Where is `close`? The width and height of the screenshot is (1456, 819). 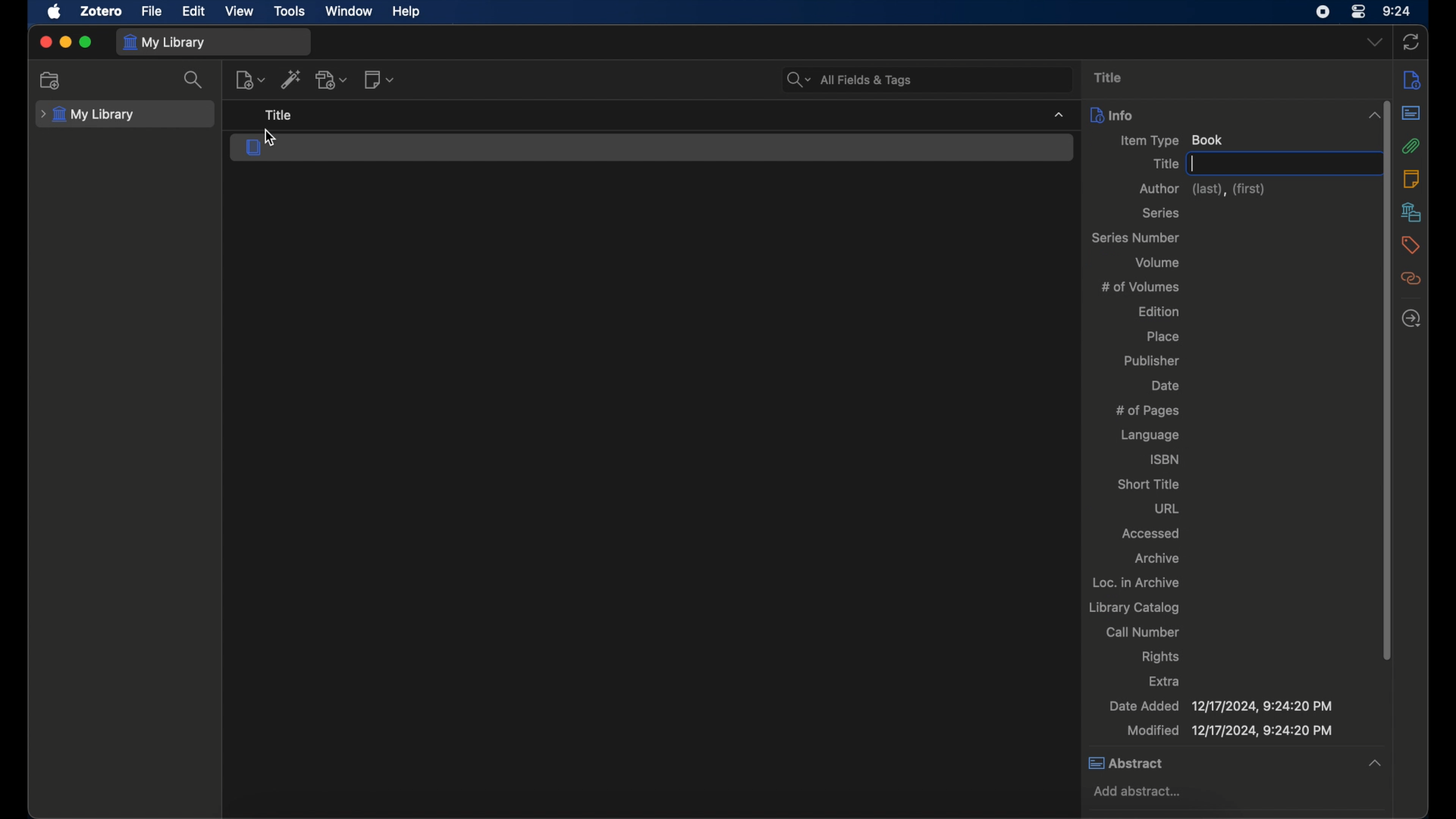
close is located at coordinates (46, 42).